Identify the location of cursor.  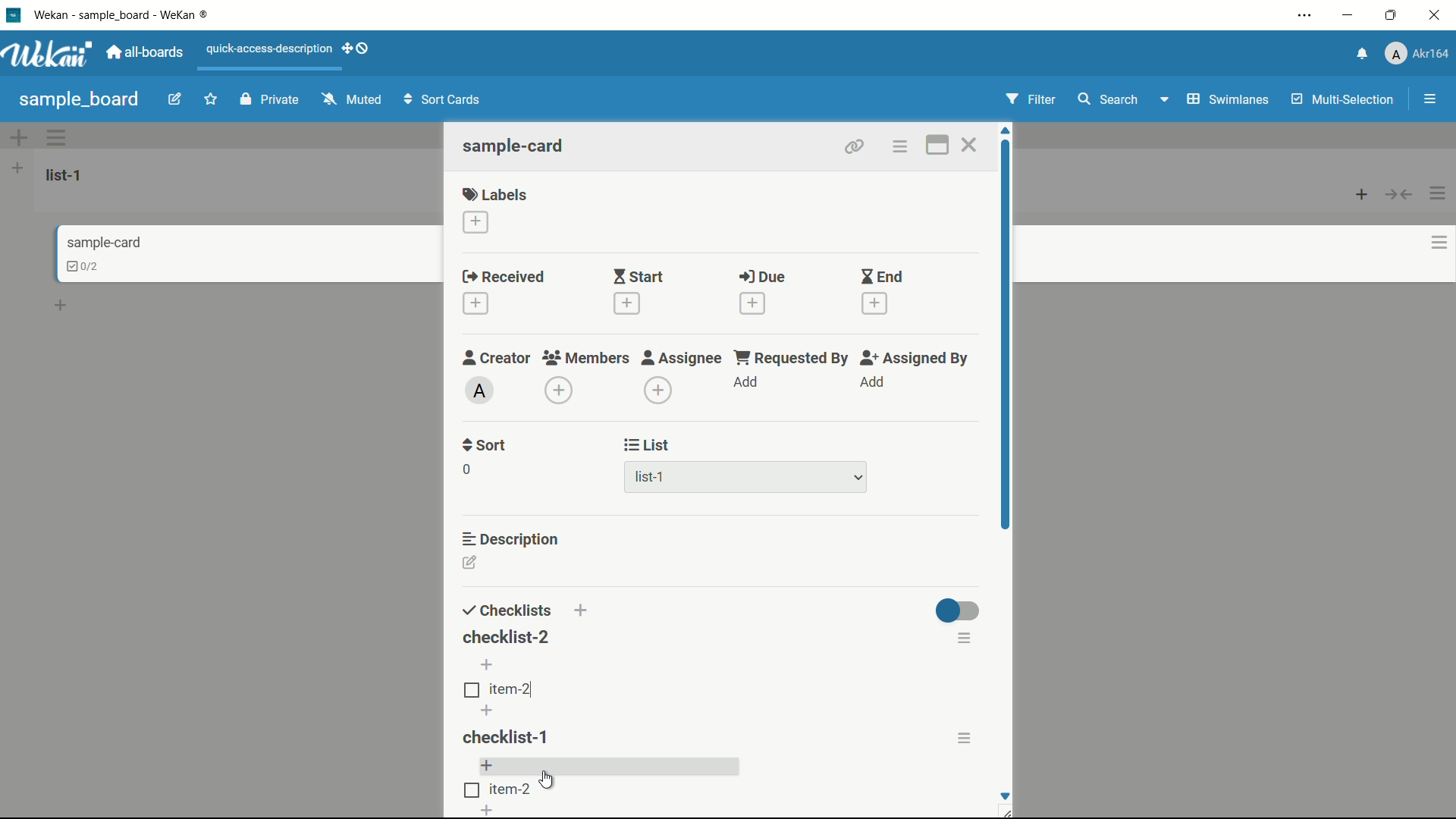
(547, 780).